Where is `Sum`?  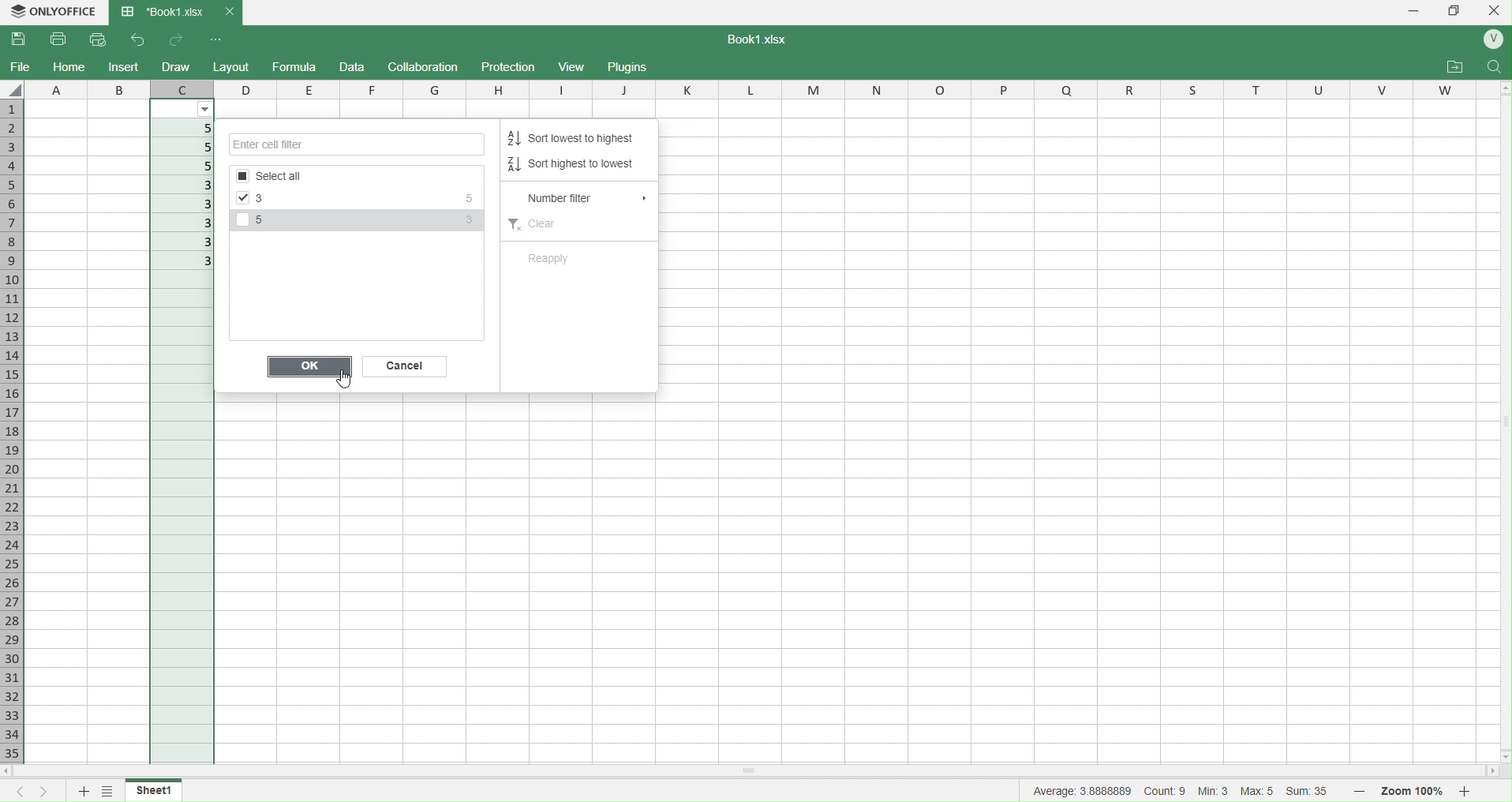 Sum is located at coordinates (1312, 793).